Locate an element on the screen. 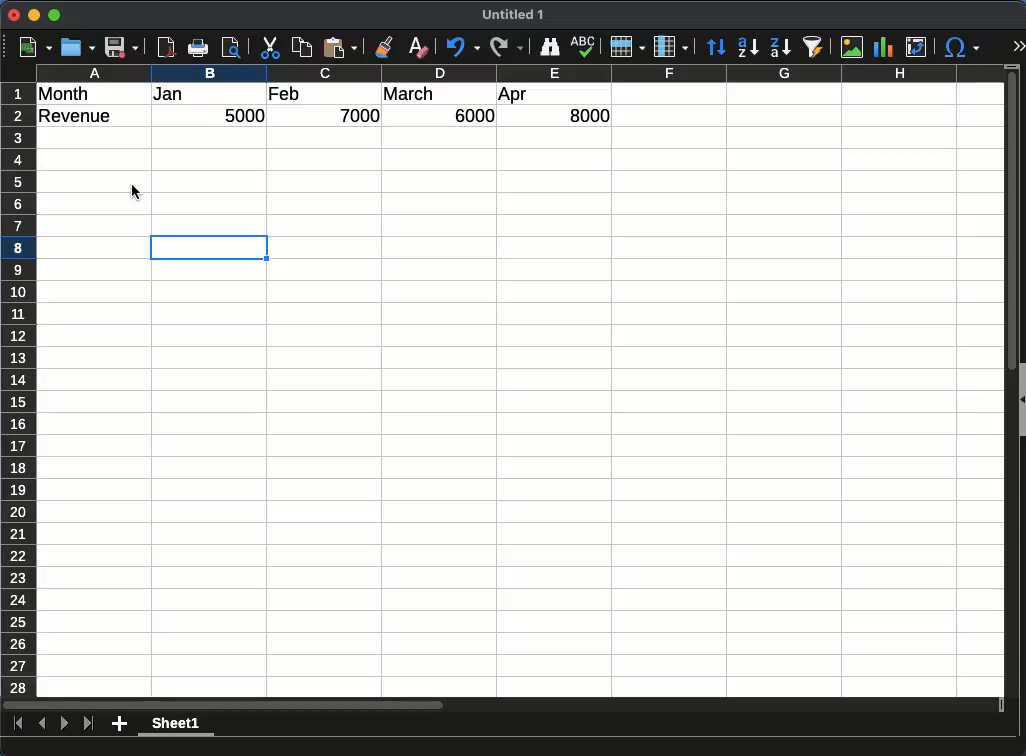 The height and width of the screenshot is (756, 1026). 5000 is located at coordinates (244, 115).